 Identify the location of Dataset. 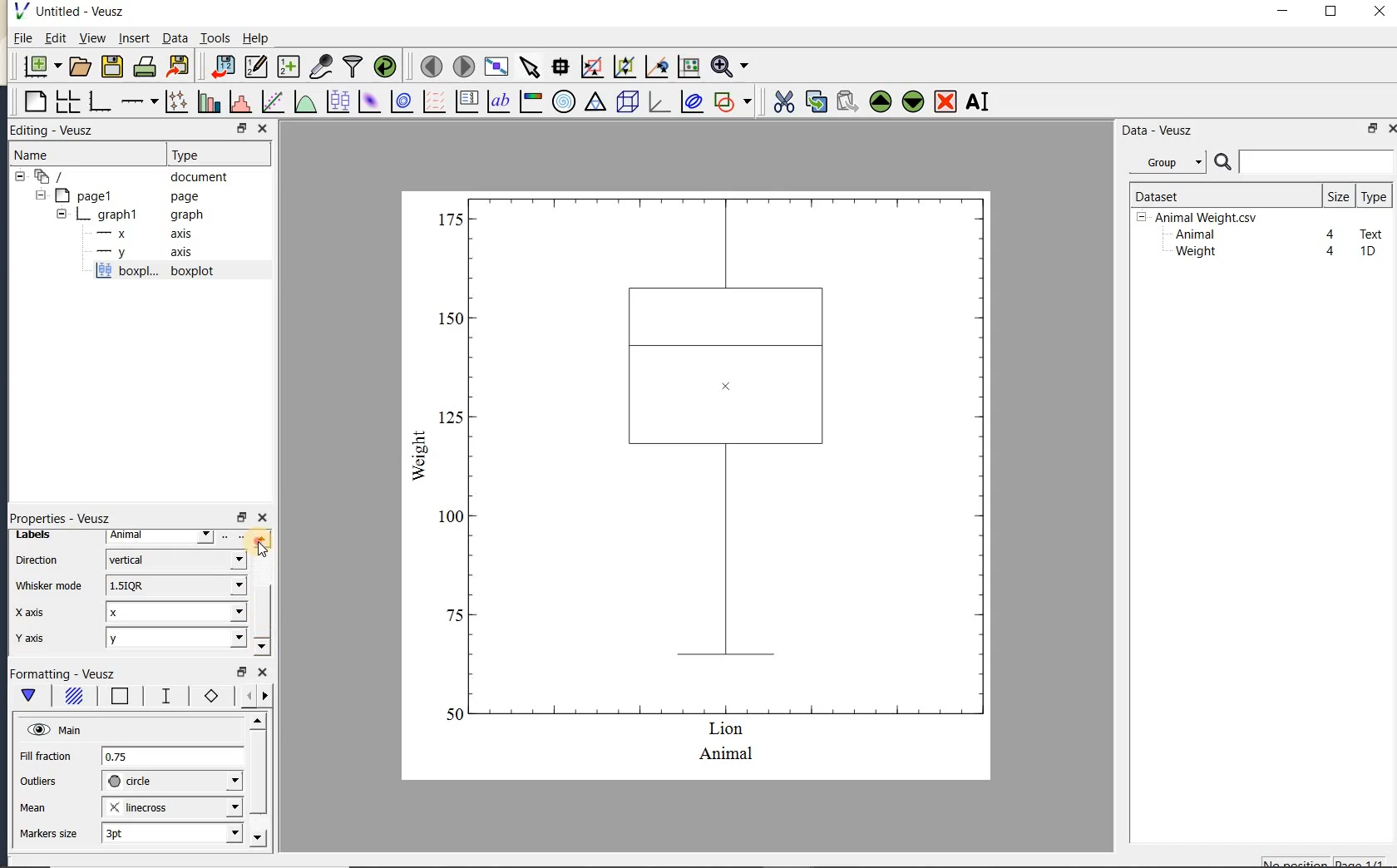
(1218, 195).